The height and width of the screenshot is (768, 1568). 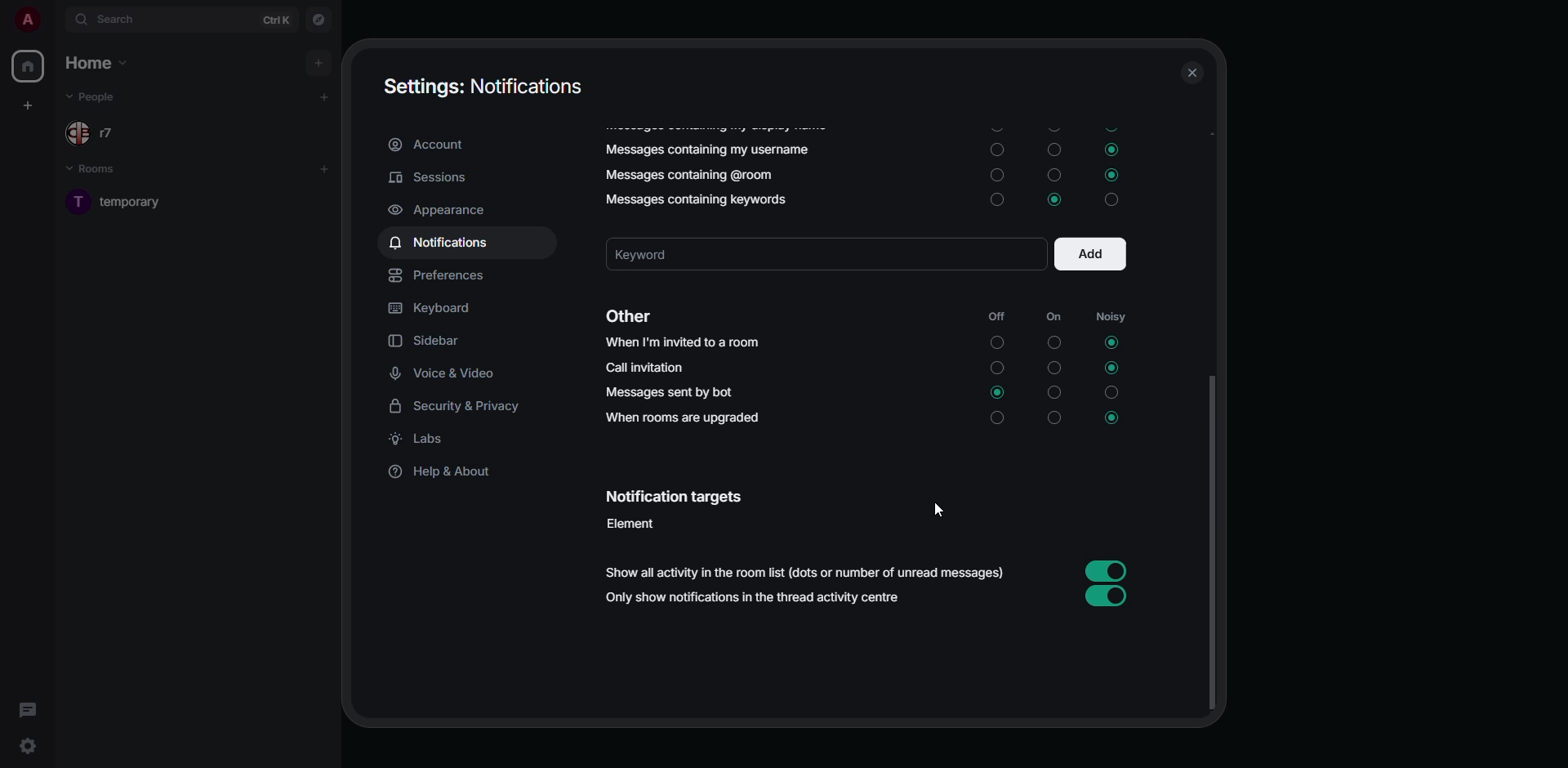 I want to click on Off, so click(x=995, y=199).